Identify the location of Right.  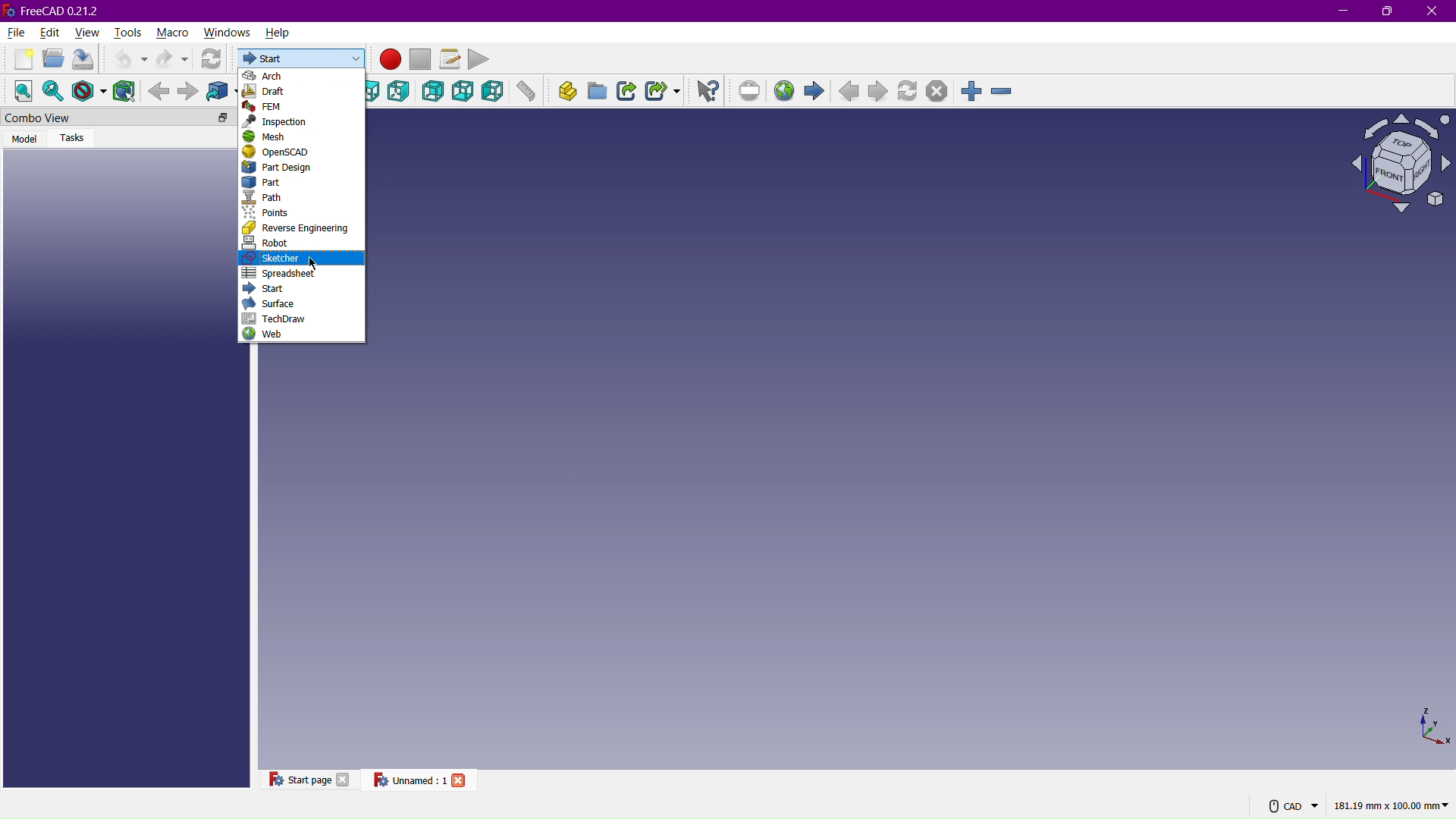
(400, 89).